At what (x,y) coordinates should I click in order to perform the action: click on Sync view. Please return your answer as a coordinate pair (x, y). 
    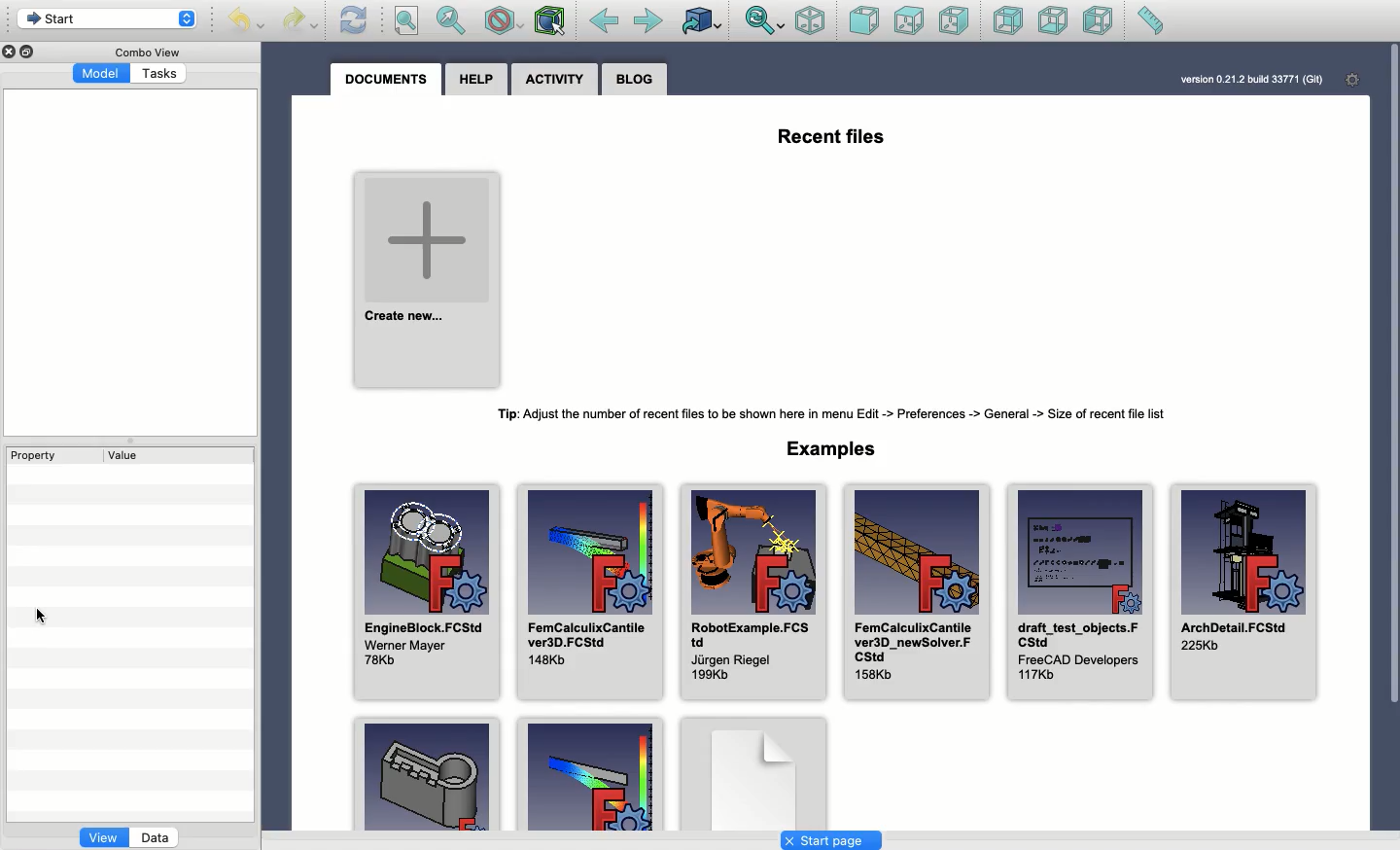
    Looking at the image, I should click on (764, 22).